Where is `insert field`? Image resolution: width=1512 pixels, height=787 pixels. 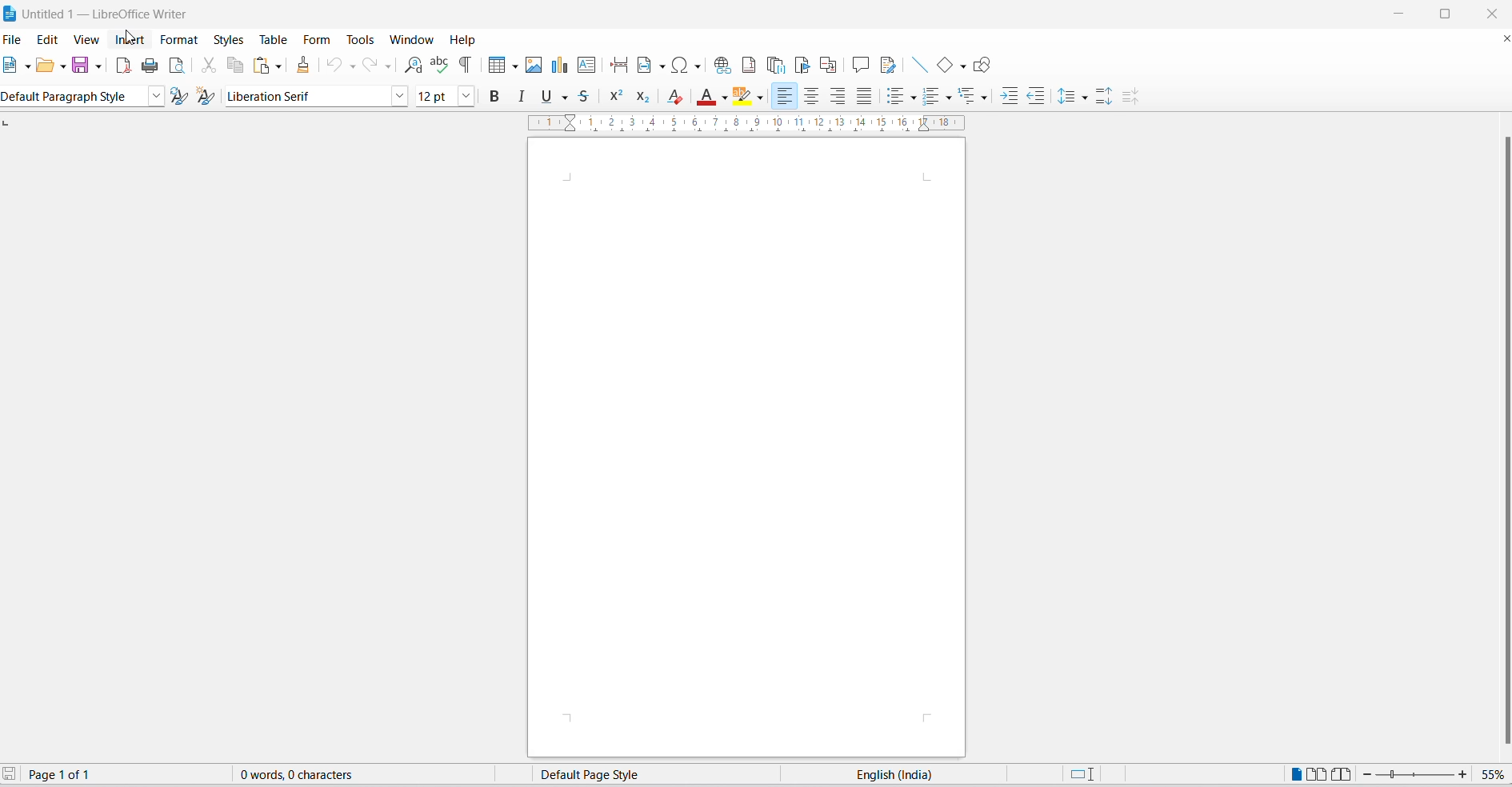 insert field is located at coordinates (650, 65).